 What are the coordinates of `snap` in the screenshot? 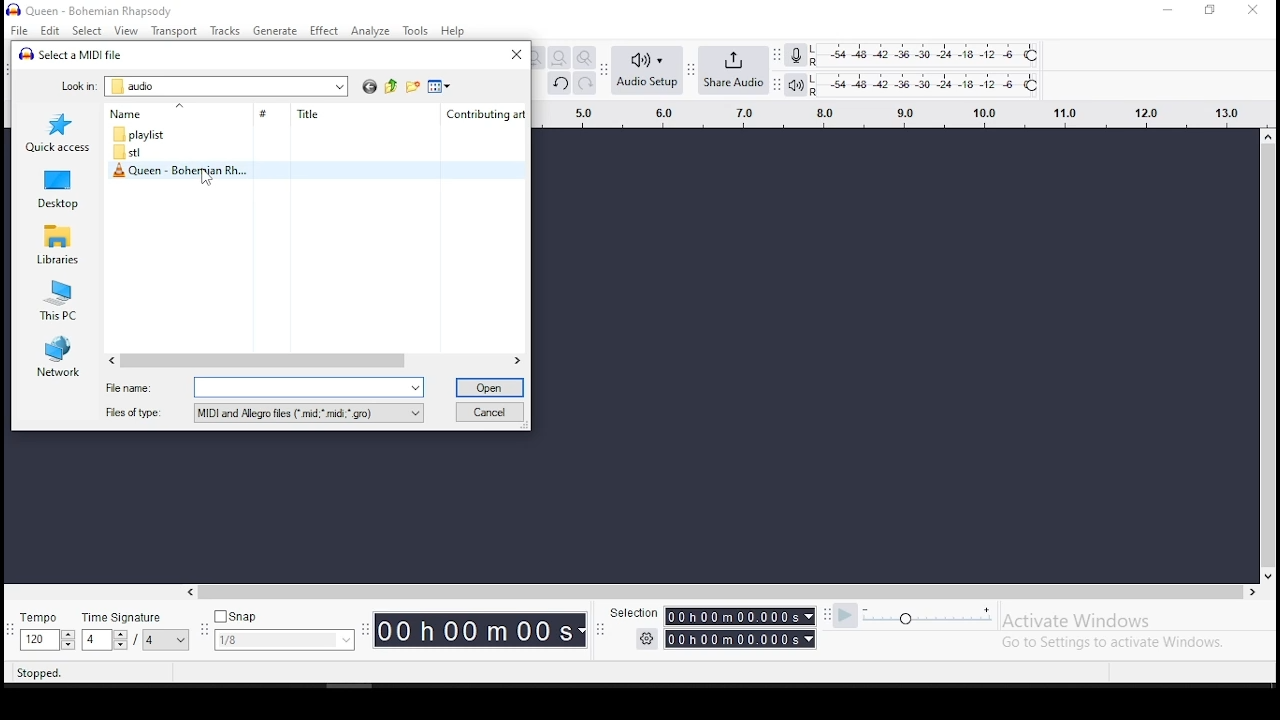 It's located at (285, 631).